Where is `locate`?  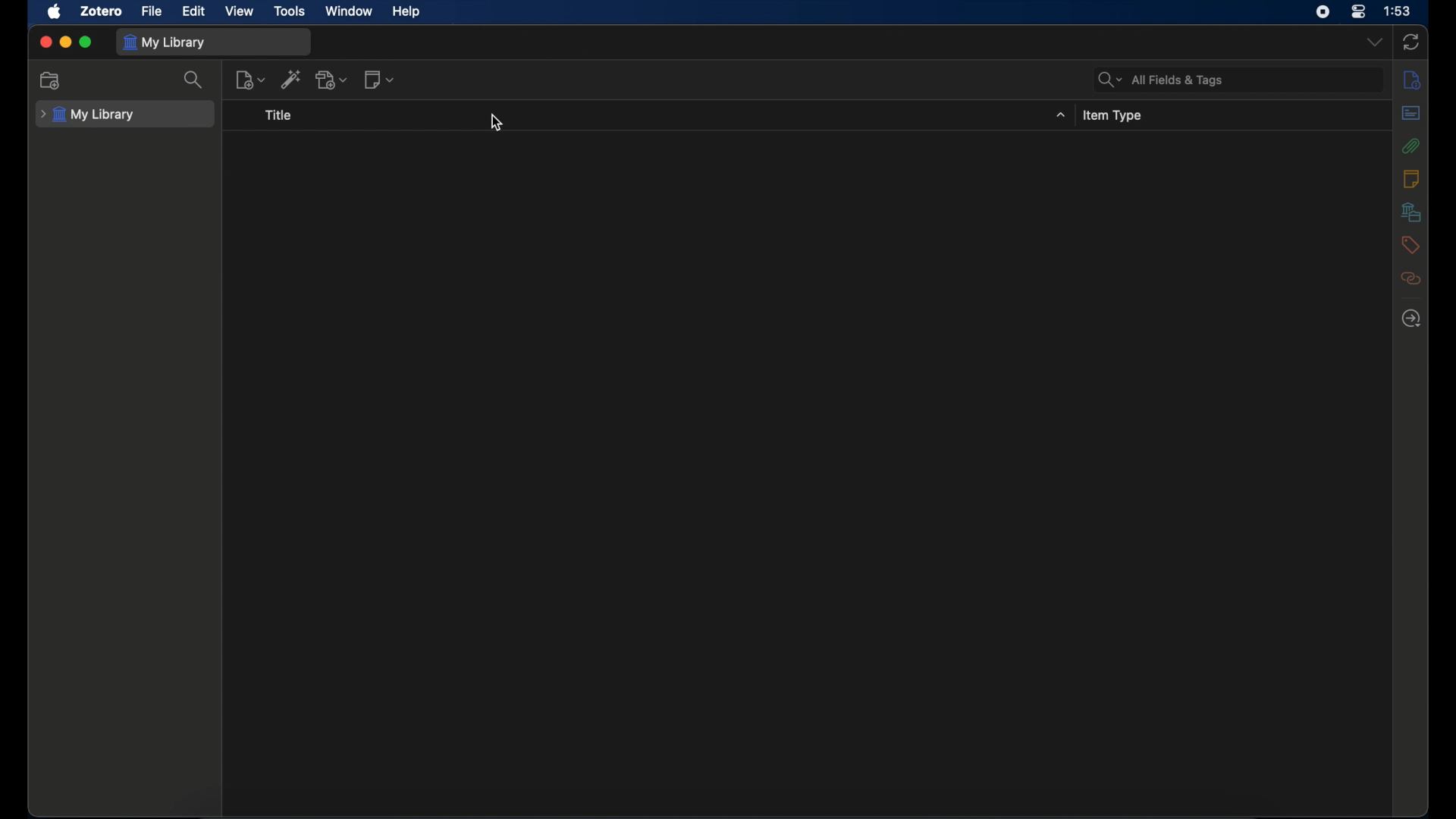
locate is located at coordinates (1412, 319).